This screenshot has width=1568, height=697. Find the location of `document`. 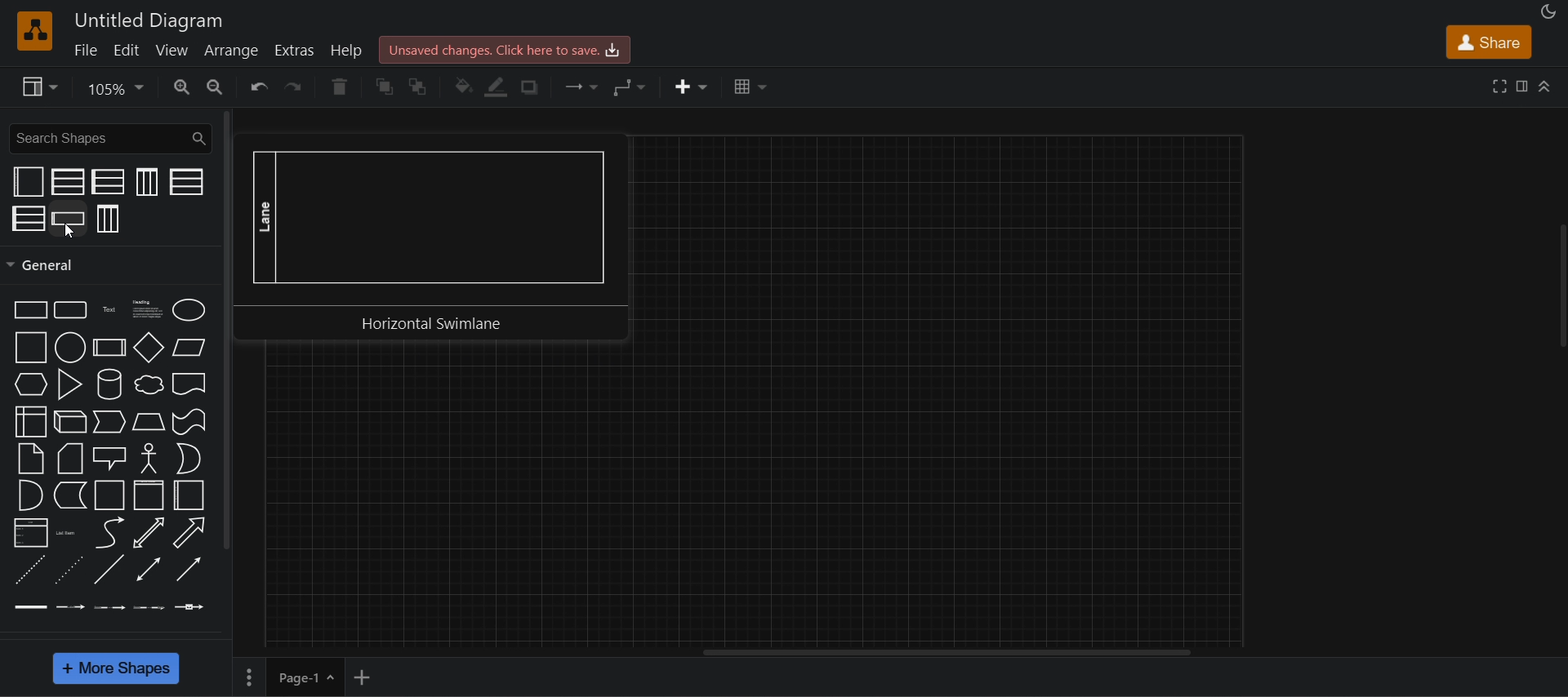

document is located at coordinates (187, 384).